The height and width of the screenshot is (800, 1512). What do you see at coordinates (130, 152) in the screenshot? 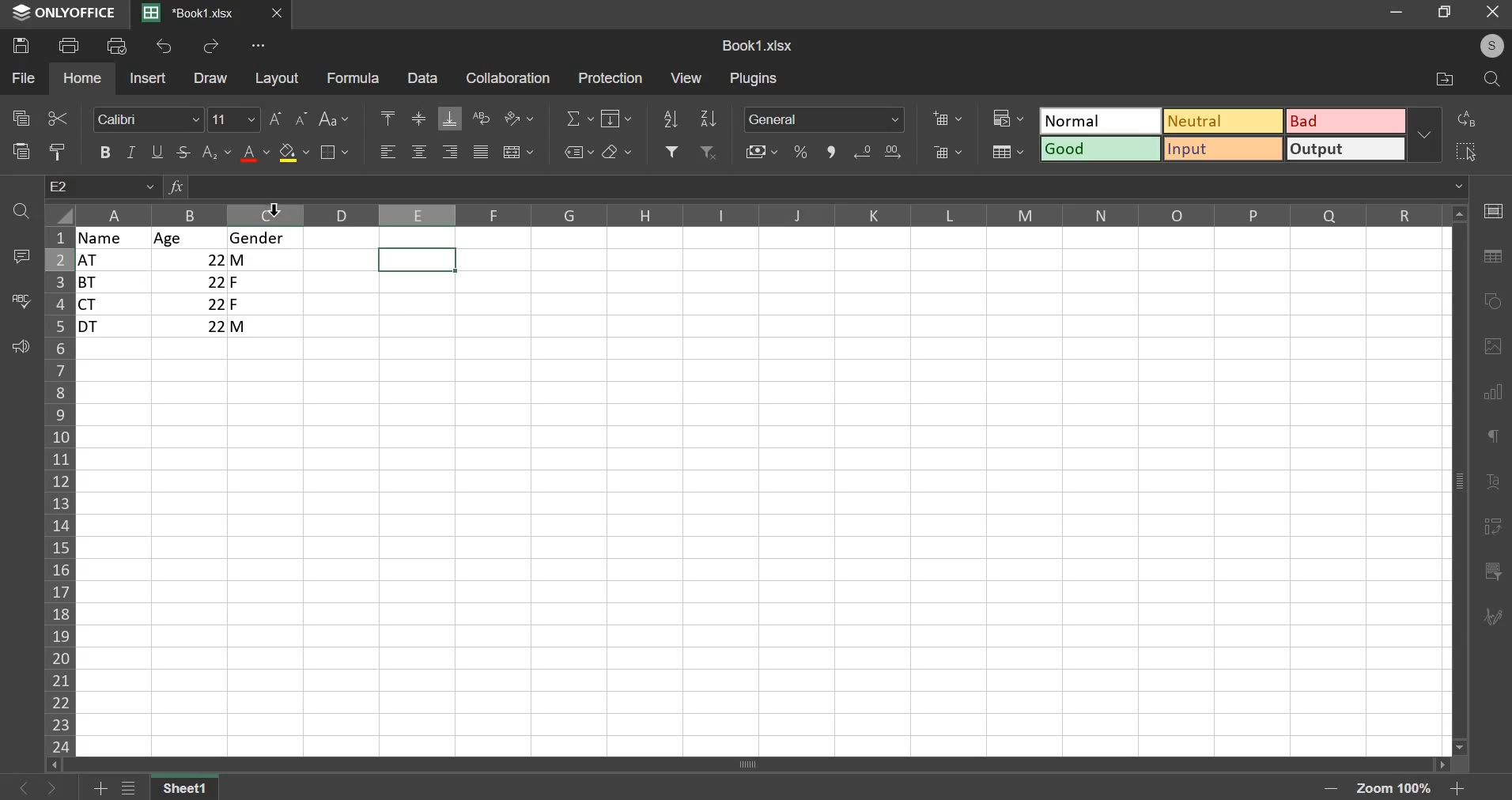
I see `italic` at bounding box center [130, 152].